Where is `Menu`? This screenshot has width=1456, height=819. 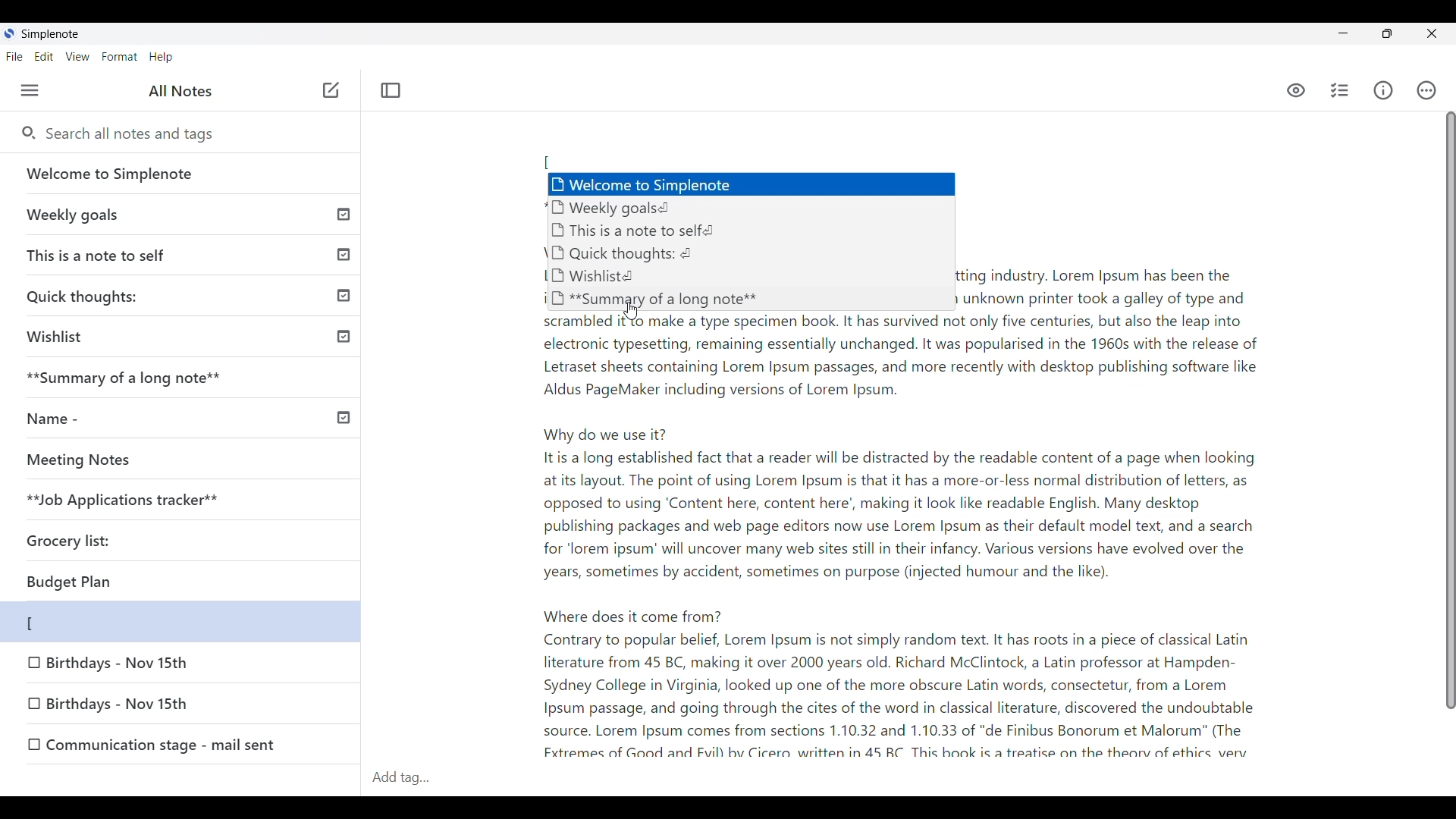
Menu is located at coordinates (30, 90).